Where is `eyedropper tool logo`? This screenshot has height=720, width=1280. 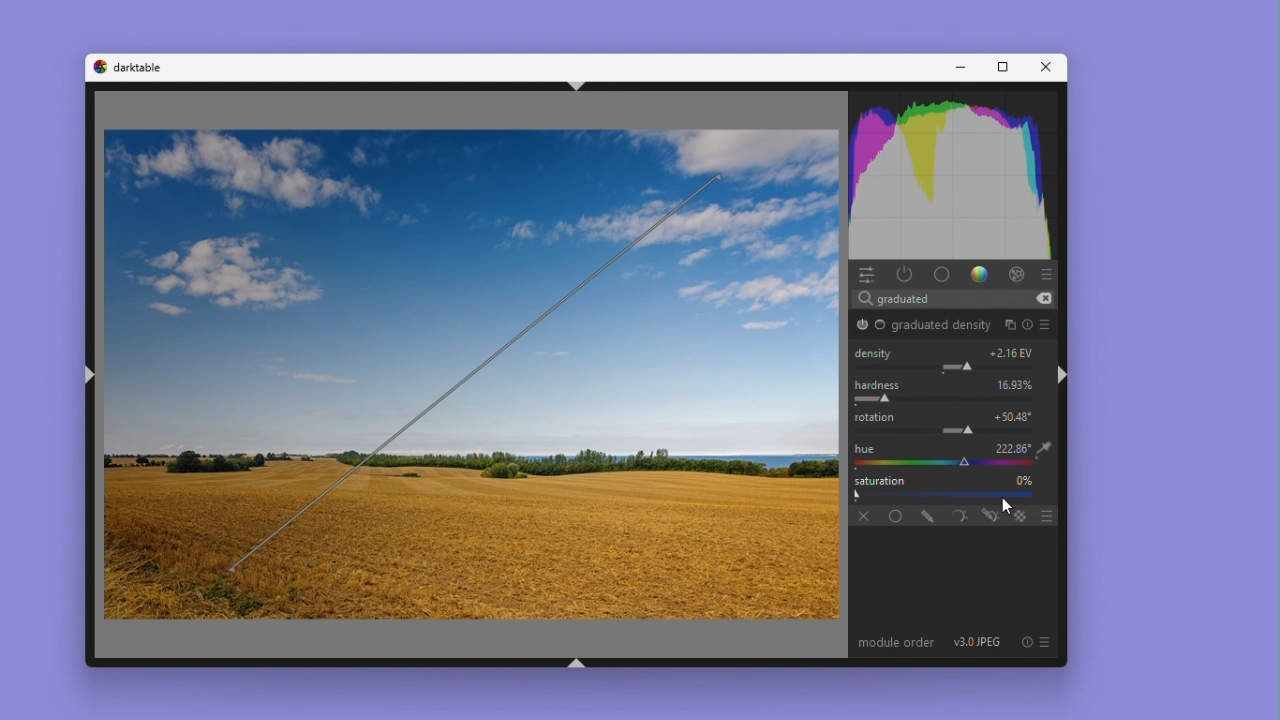
eyedropper tool logo is located at coordinates (1045, 449).